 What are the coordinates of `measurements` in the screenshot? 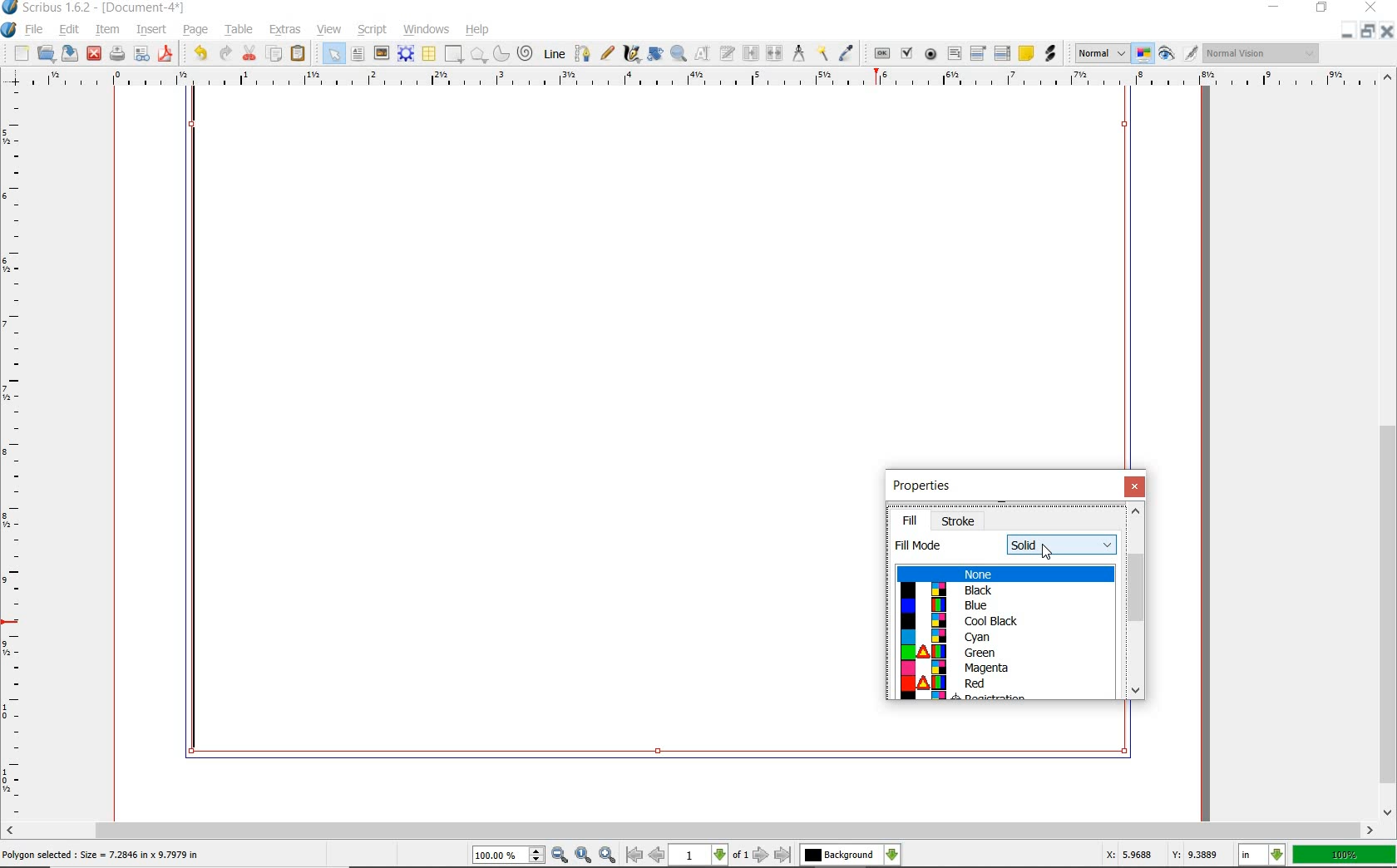 It's located at (798, 54).